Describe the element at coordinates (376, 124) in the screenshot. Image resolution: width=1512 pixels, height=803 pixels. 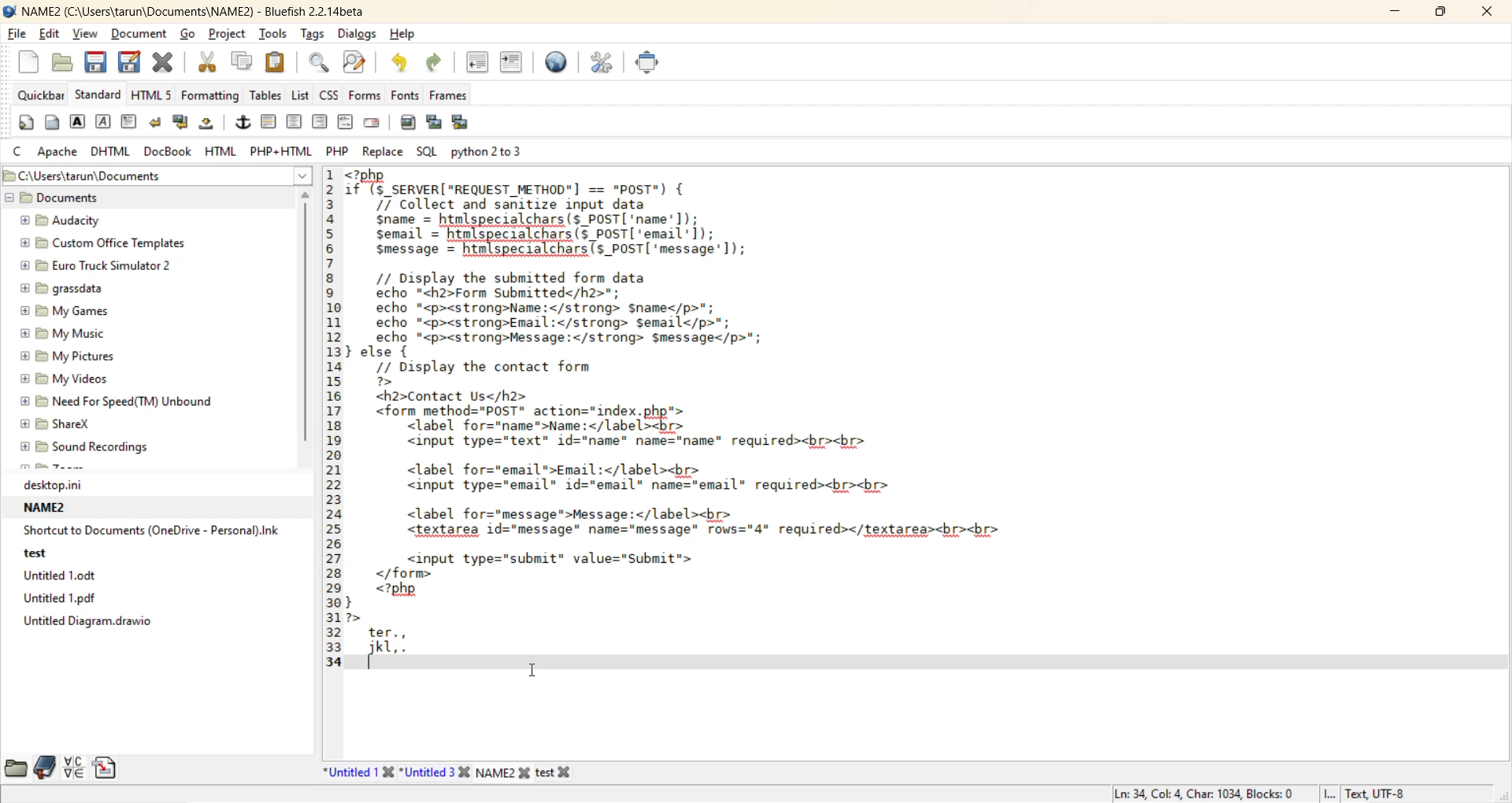
I see `email` at that location.